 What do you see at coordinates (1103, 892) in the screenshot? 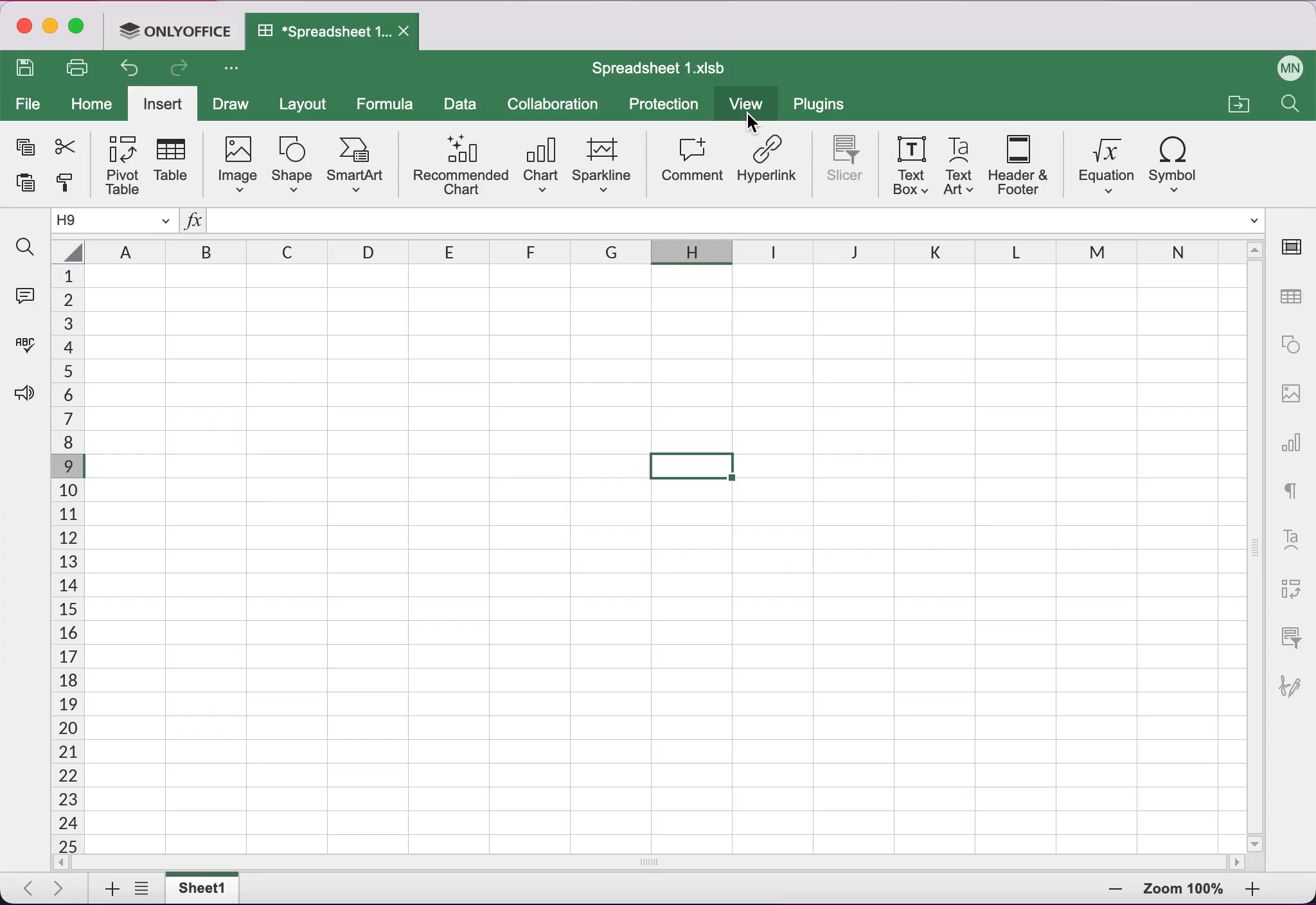
I see `zoom in` at bounding box center [1103, 892].